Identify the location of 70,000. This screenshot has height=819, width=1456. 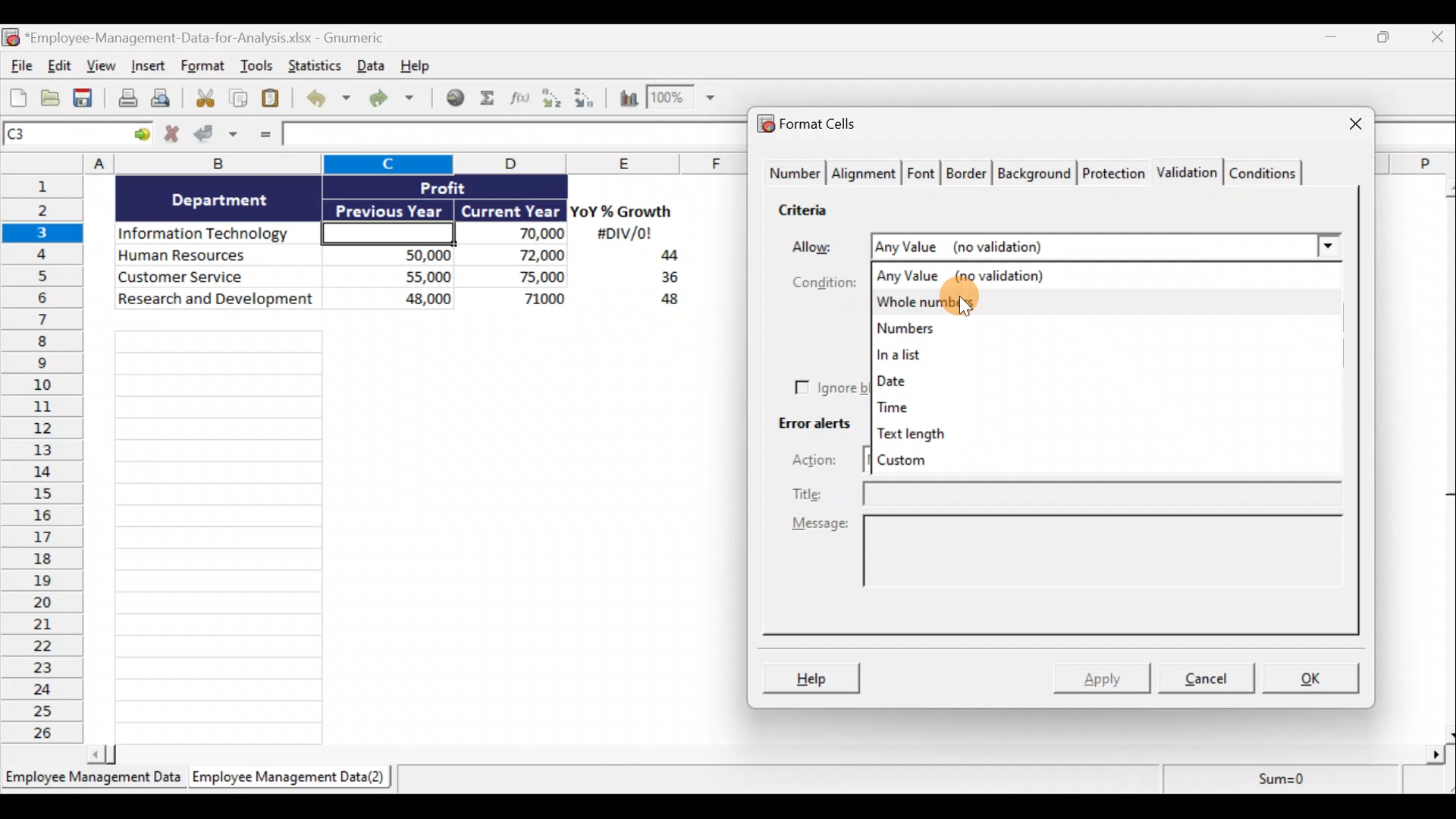
(519, 234).